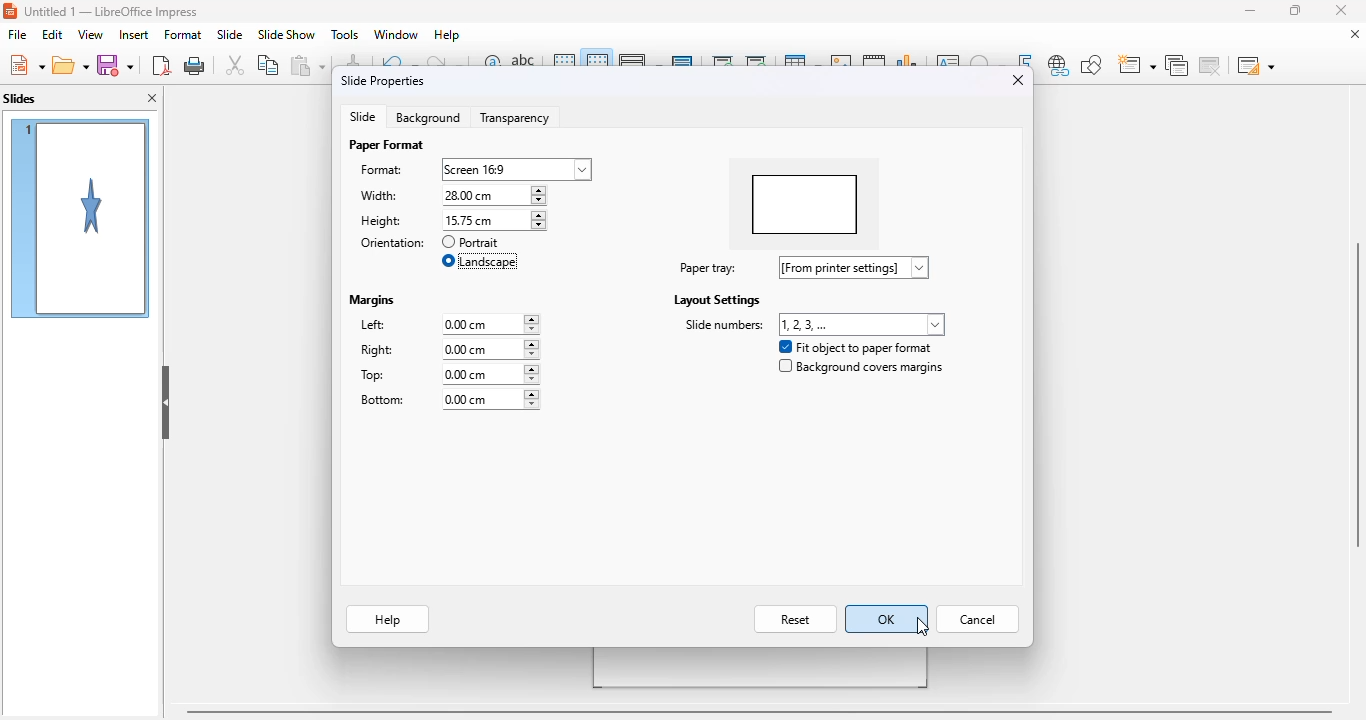 Image resolution: width=1366 pixels, height=720 pixels. I want to click on background, so click(427, 117).